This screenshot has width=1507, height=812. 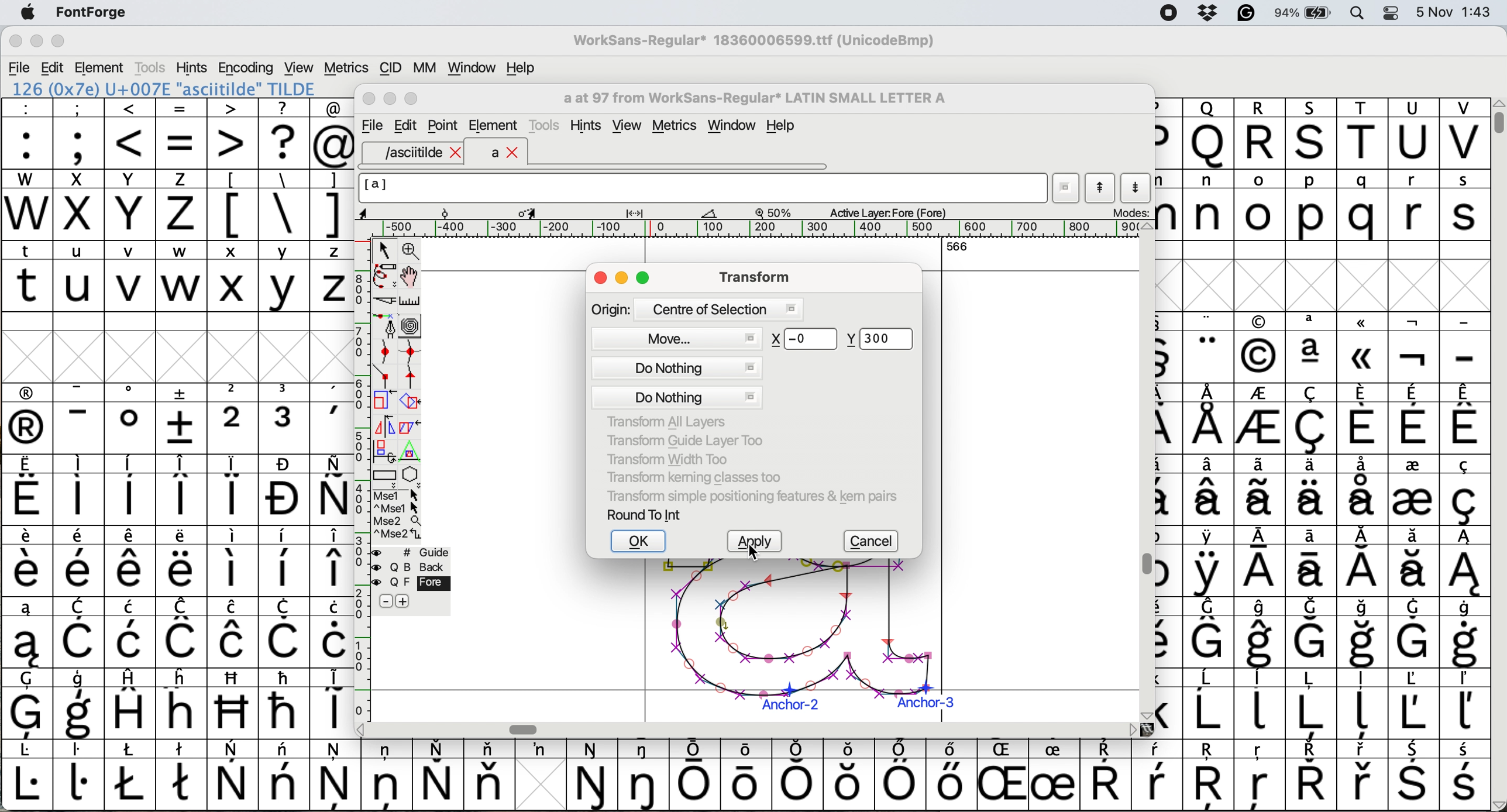 What do you see at coordinates (332, 419) in the screenshot?
I see `symbol` at bounding box center [332, 419].